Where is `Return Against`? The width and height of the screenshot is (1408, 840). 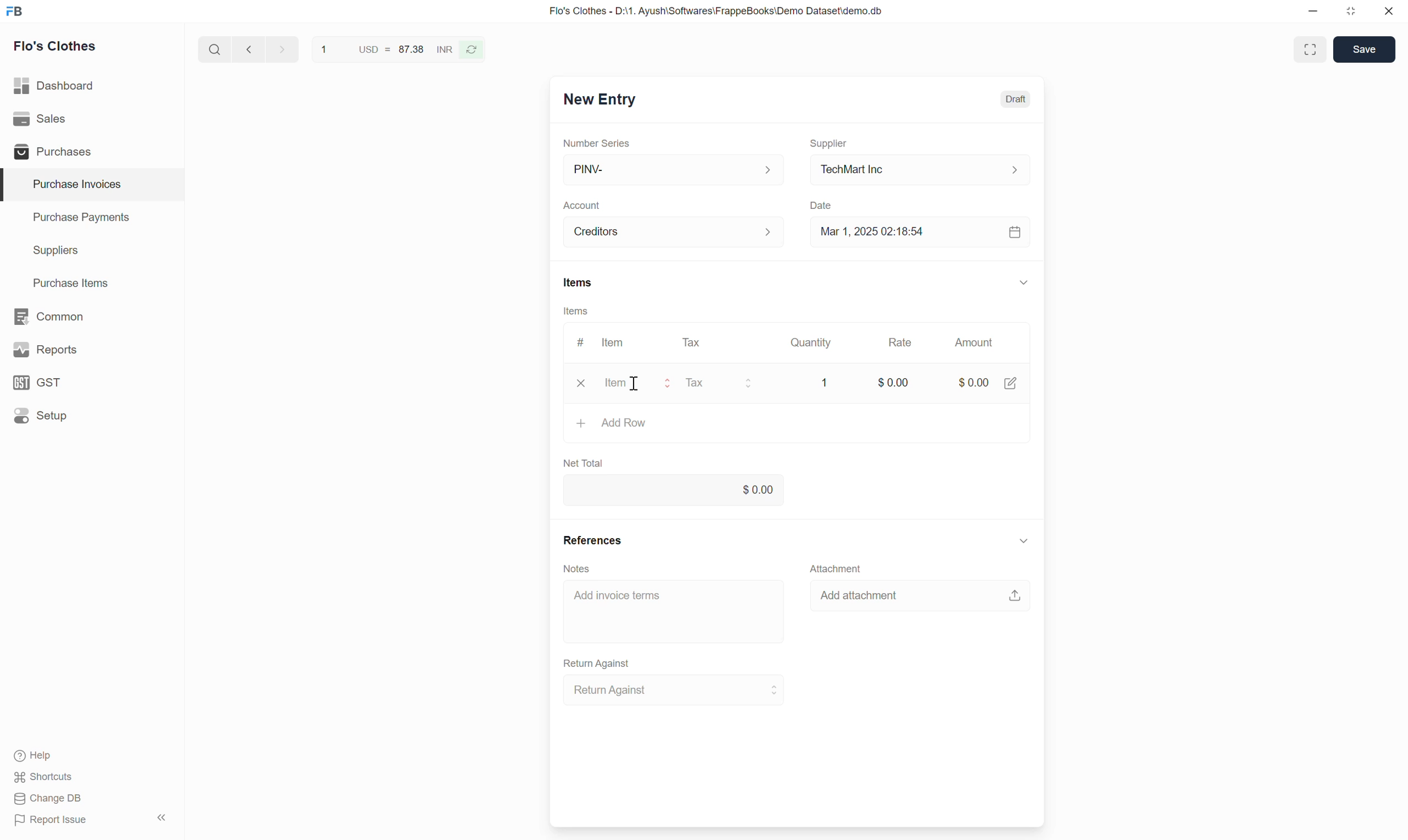
Return Against is located at coordinates (597, 664).